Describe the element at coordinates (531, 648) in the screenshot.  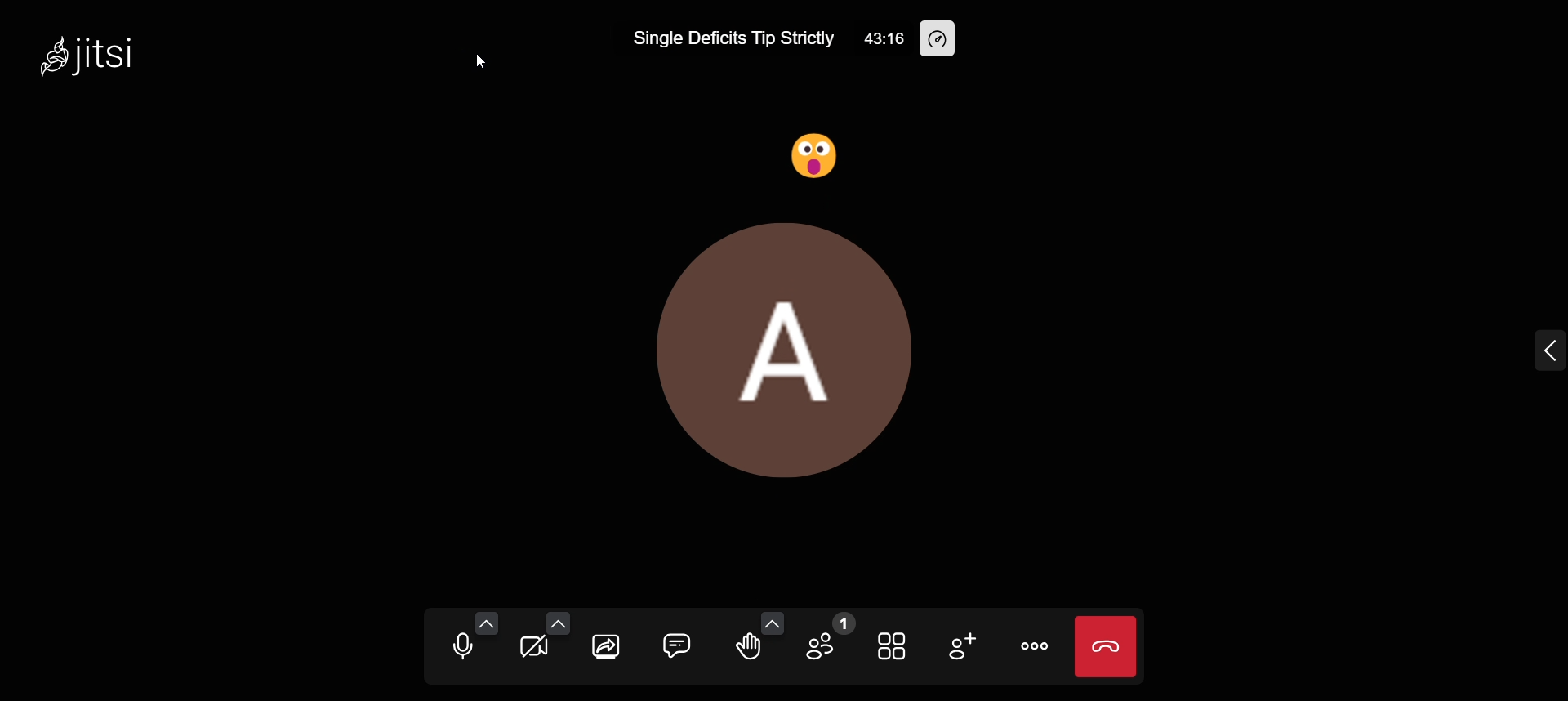
I see `start camera` at that location.